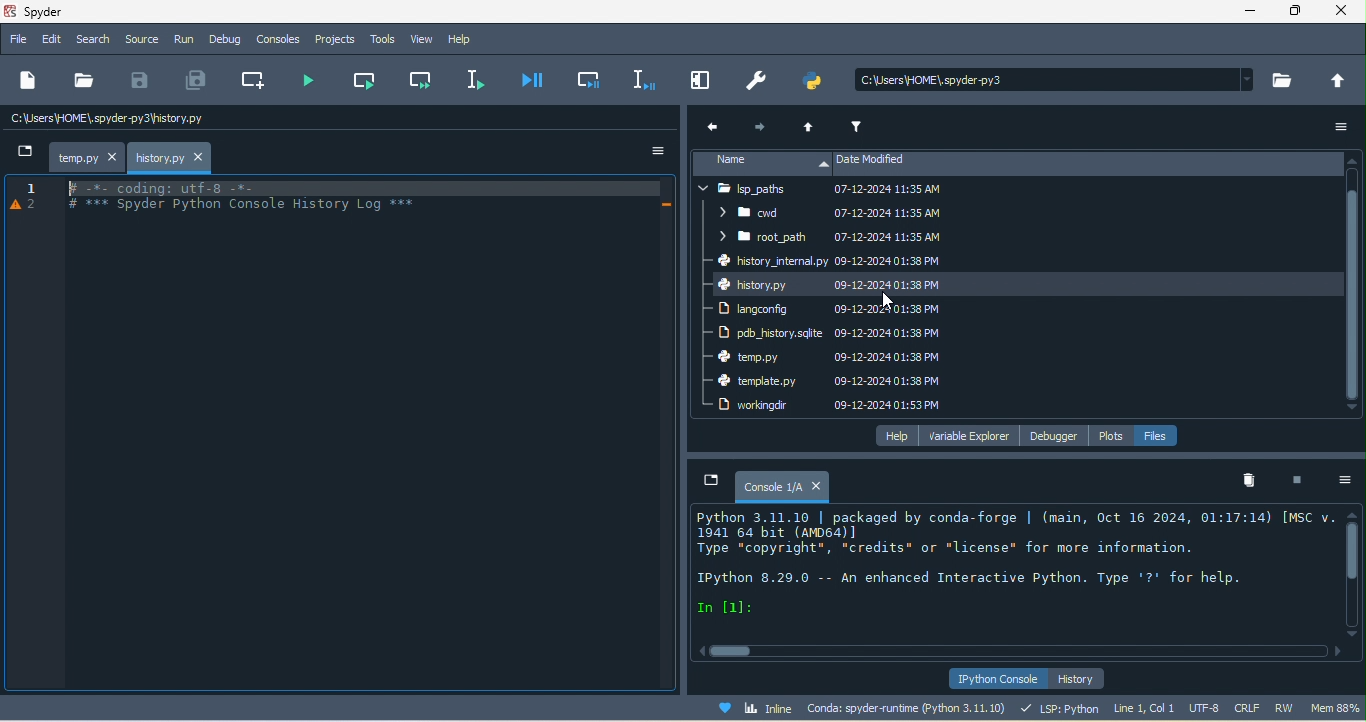 Image resolution: width=1366 pixels, height=722 pixels. I want to click on save all, so click(190, 81).